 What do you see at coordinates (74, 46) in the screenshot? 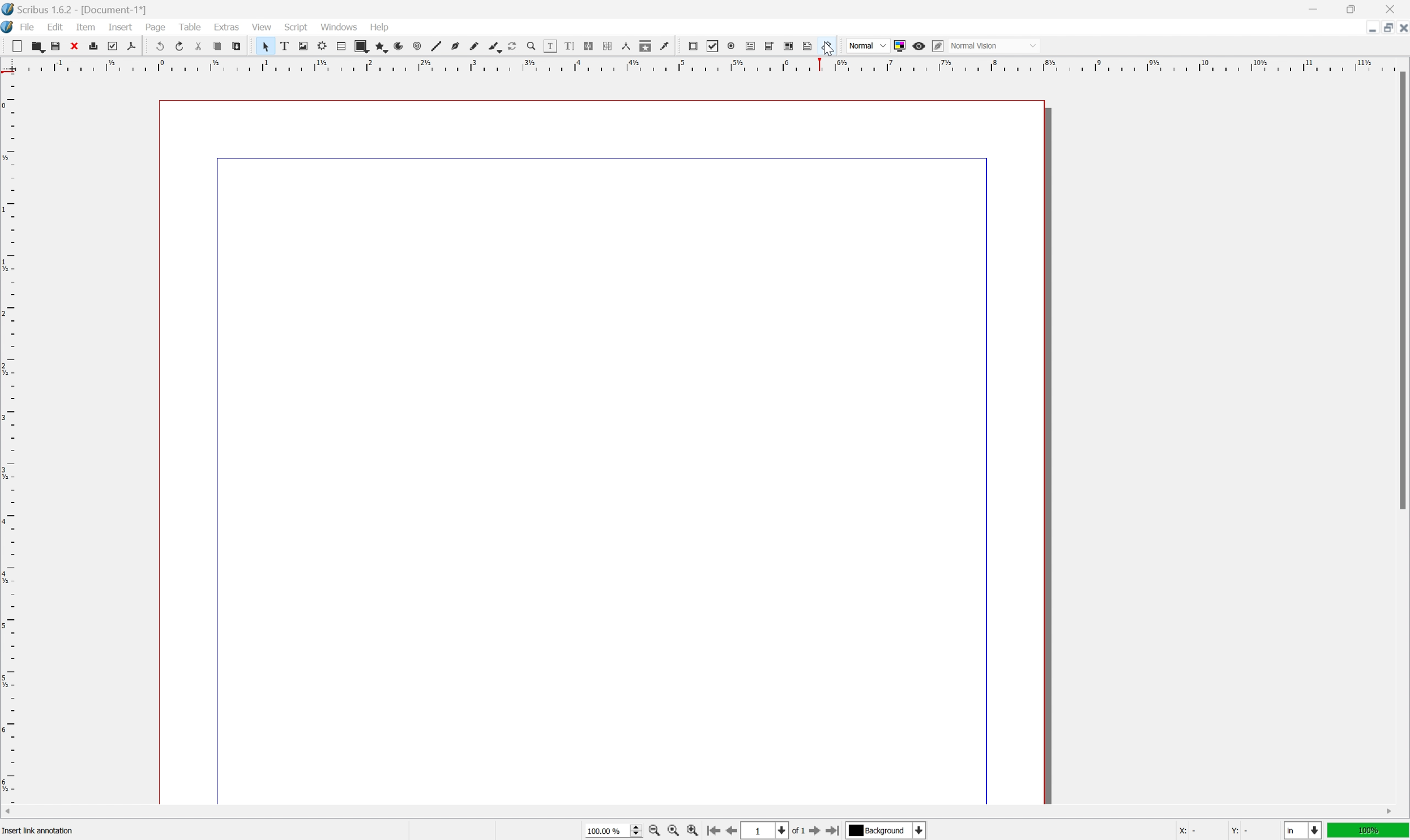
I see `close` at bounding box center [74, 46].